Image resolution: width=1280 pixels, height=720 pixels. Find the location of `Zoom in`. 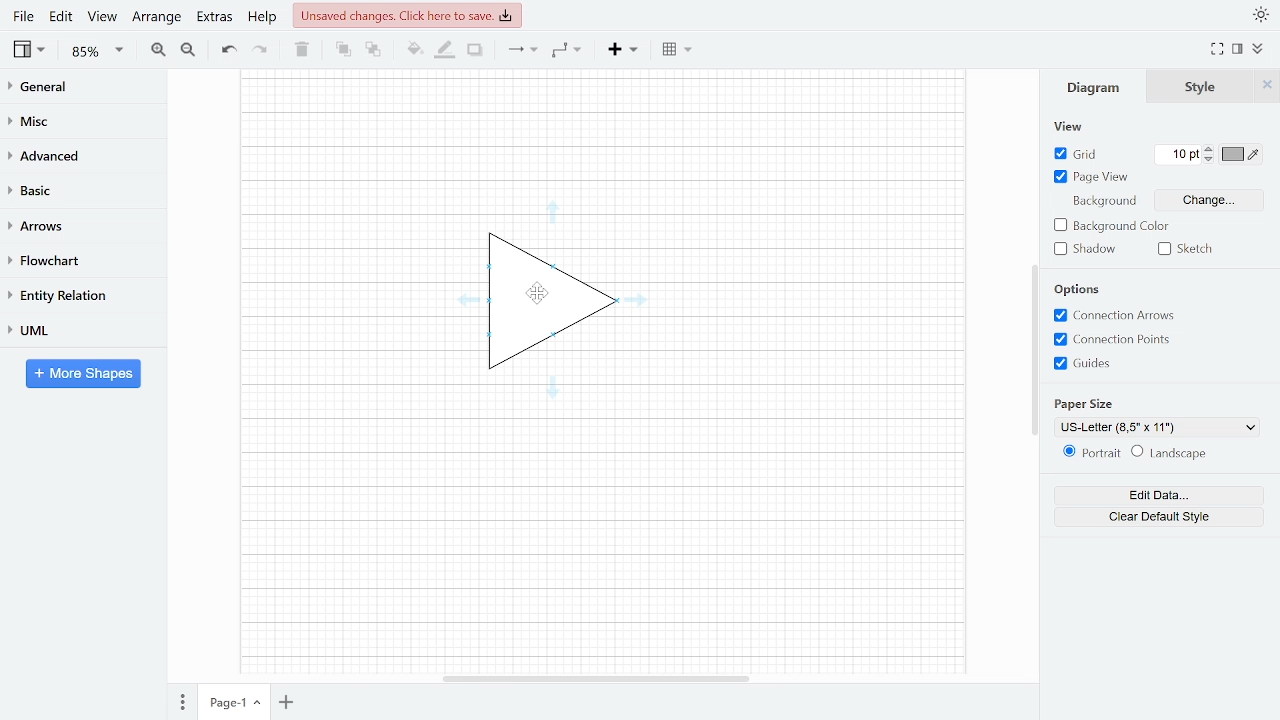

Zoom in is located at coordinates (158, 49).